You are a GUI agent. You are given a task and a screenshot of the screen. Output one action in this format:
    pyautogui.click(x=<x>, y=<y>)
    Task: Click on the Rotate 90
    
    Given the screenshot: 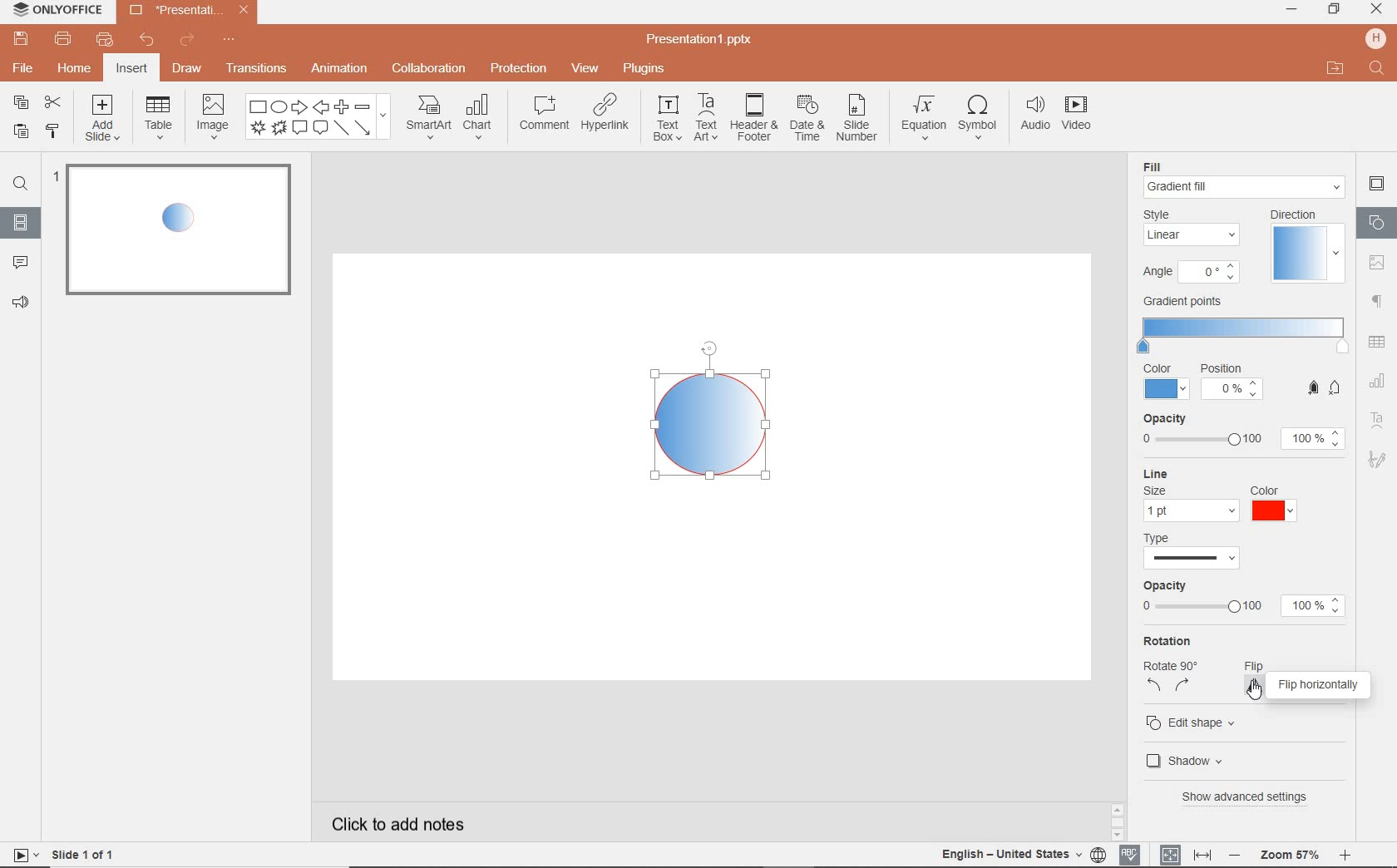 What is the action you would take?
    pyautogui.click(x=1170, y=667)
    